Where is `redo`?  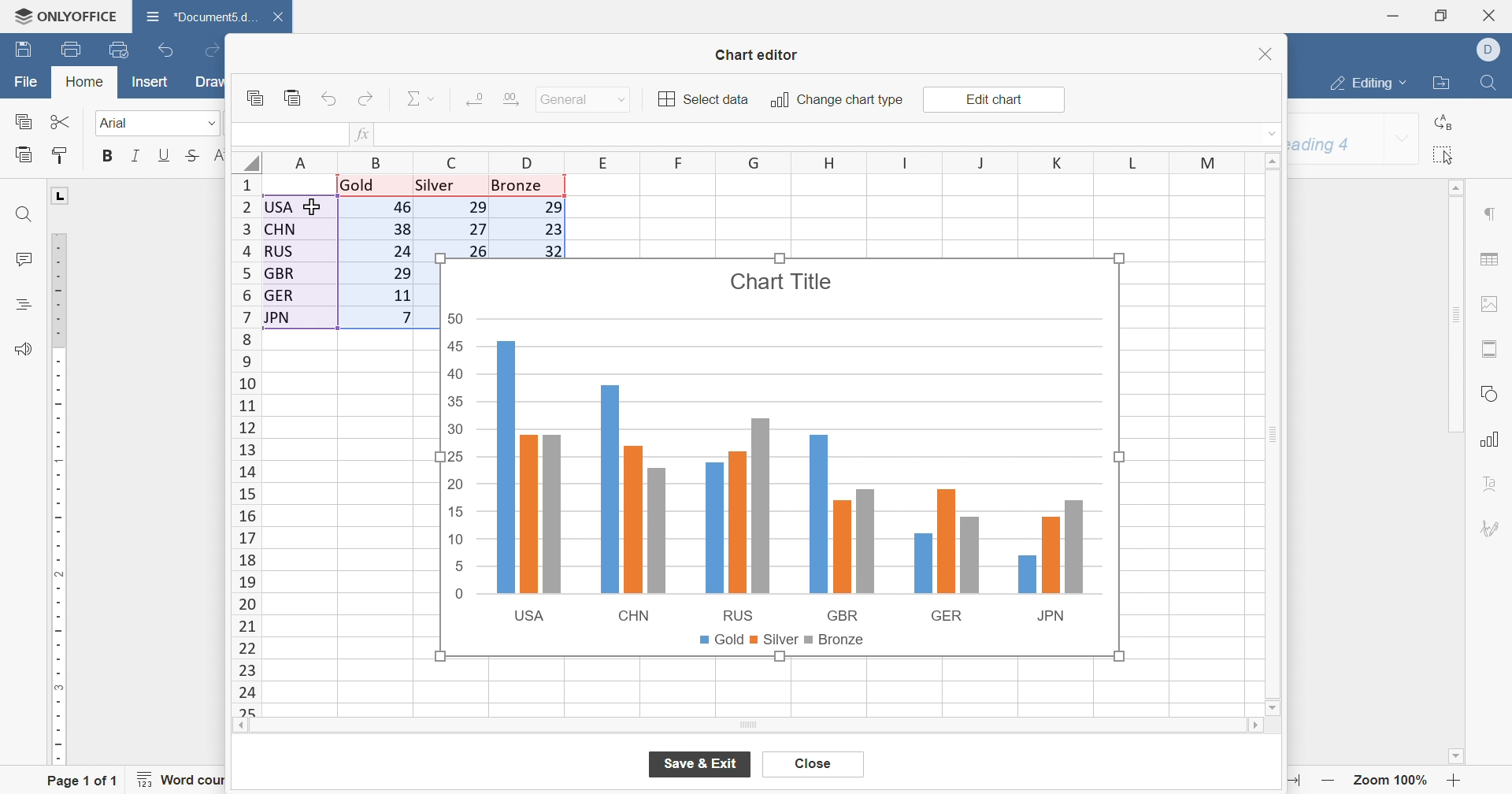
redo is located at coordinates (366, 98).